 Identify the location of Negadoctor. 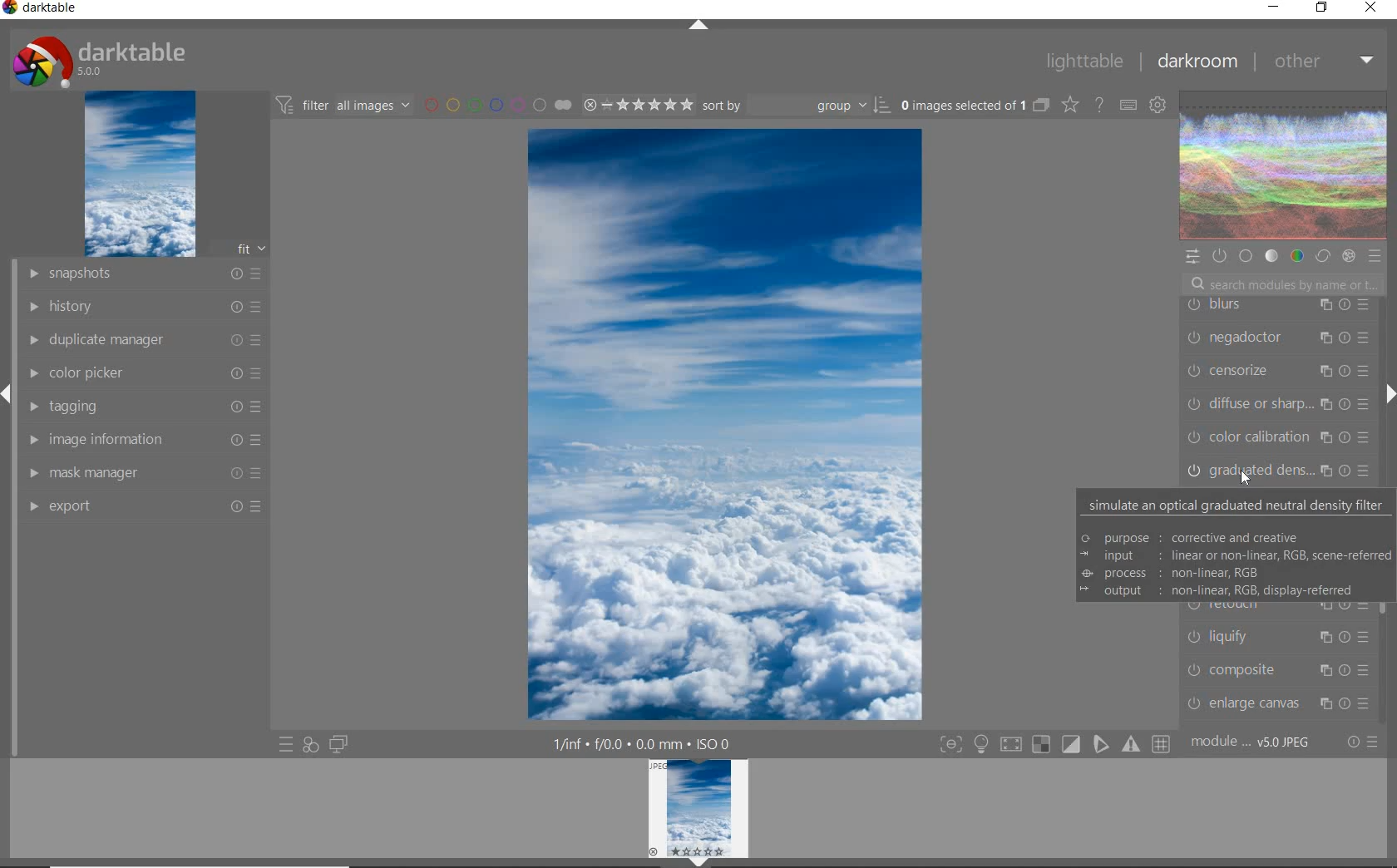
(1274, 338).